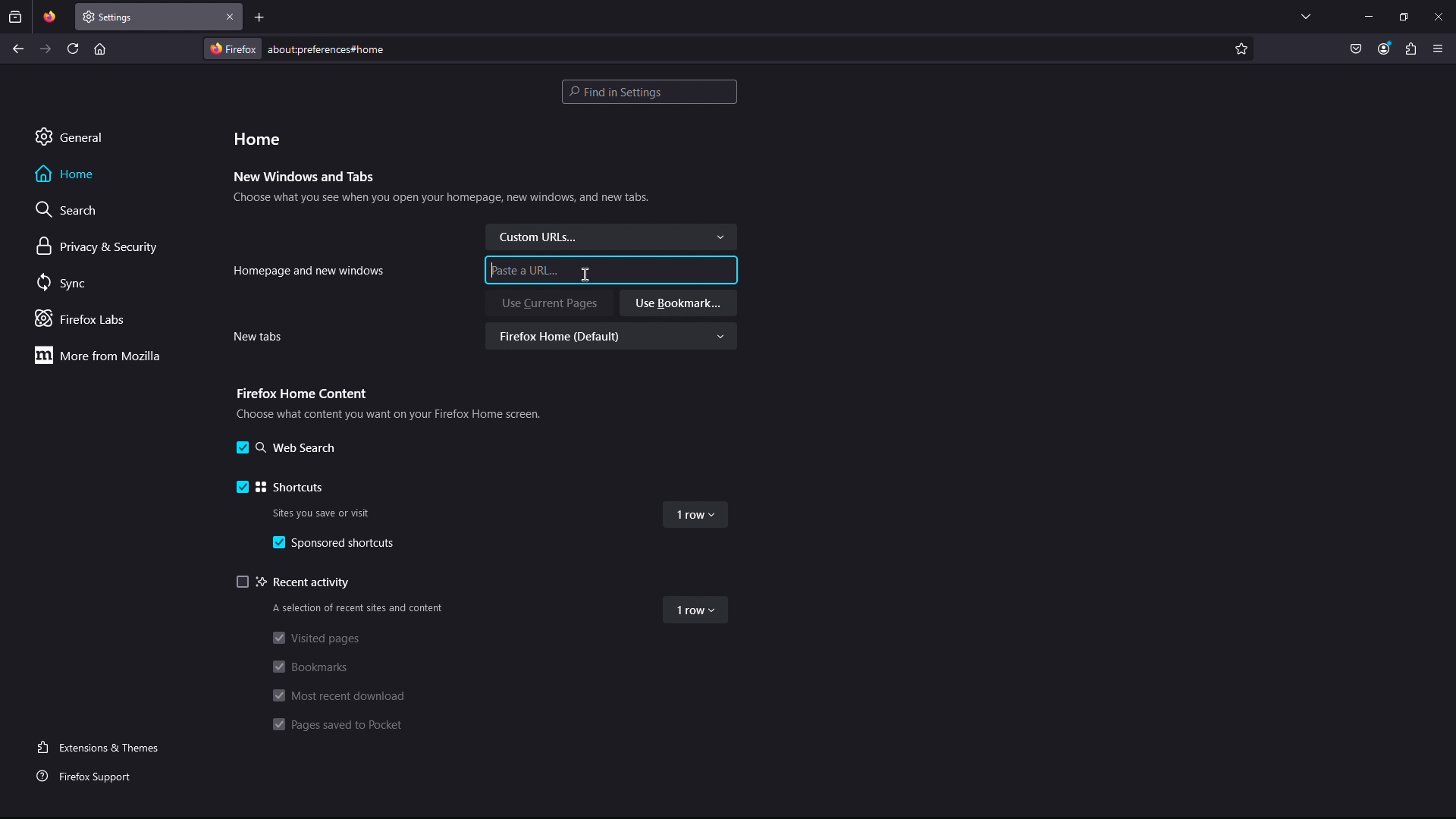 The width and height of the screenshot is (1456, 819). Describe the element at coordinates (69, 136) in the screenshot. I see `General` at that location.